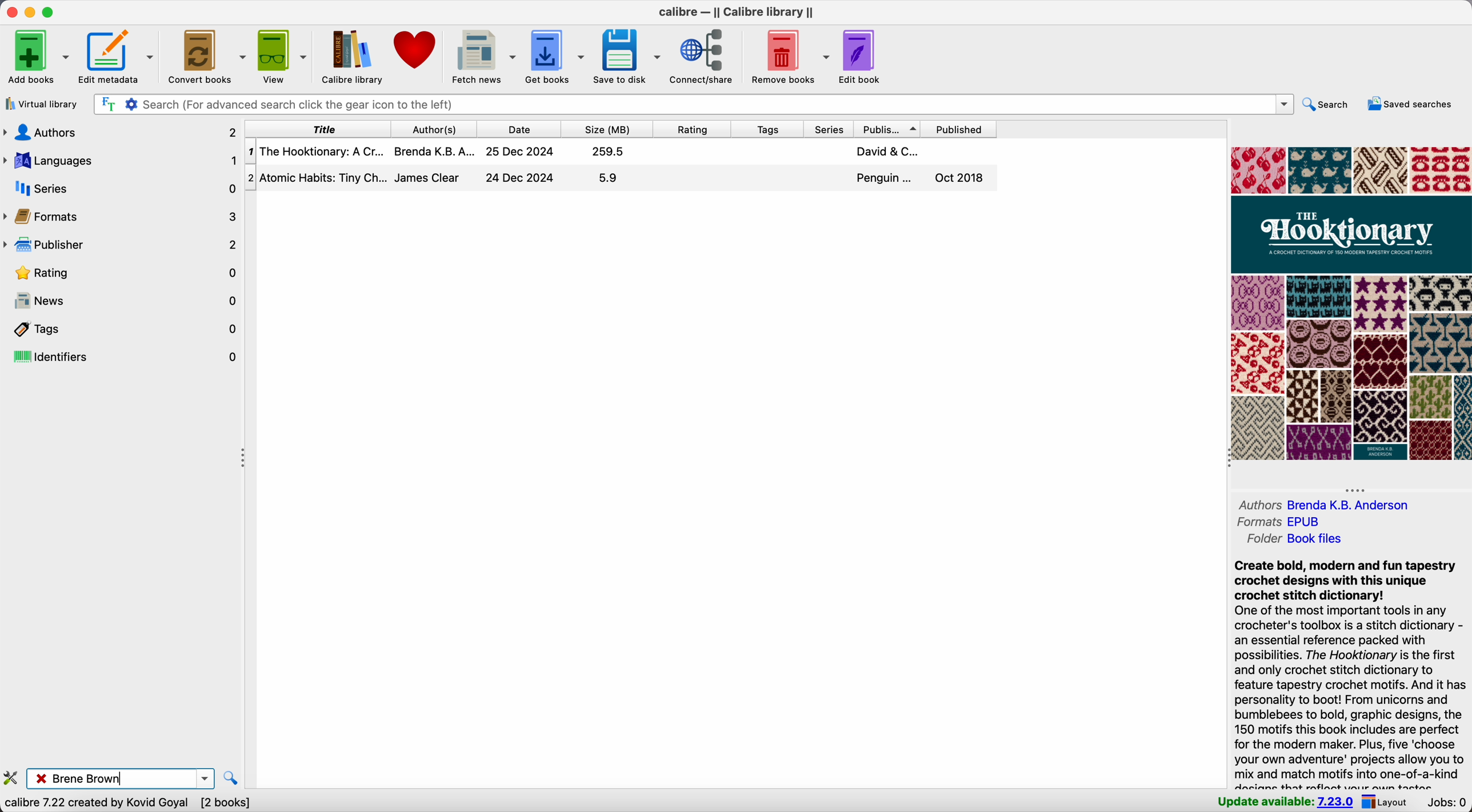  What do you see at coordinates (1295, 539) in the screenshot?
I see `folder` at bounding box center [1295, 539].